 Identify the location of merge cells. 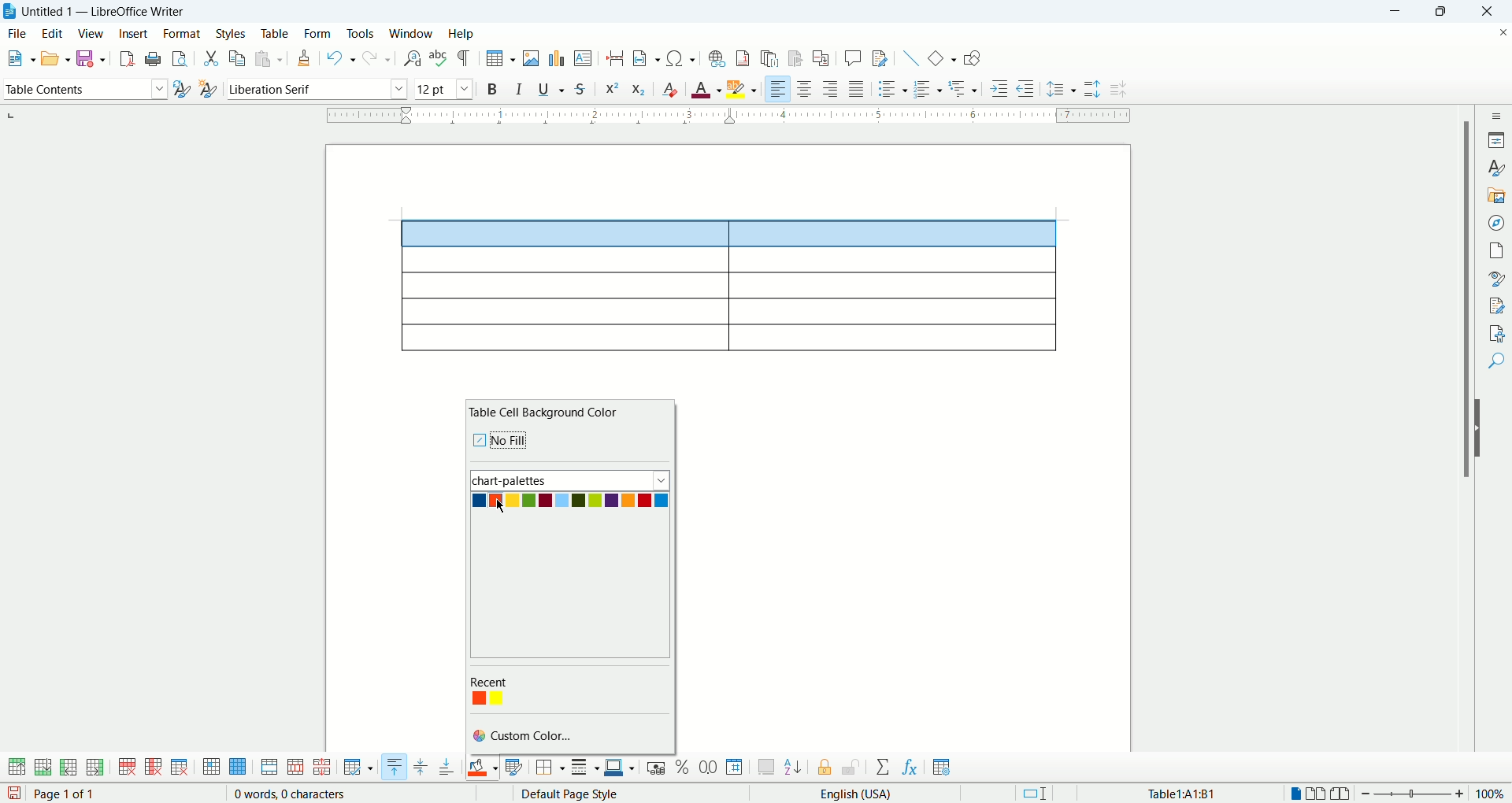
(271, 767).